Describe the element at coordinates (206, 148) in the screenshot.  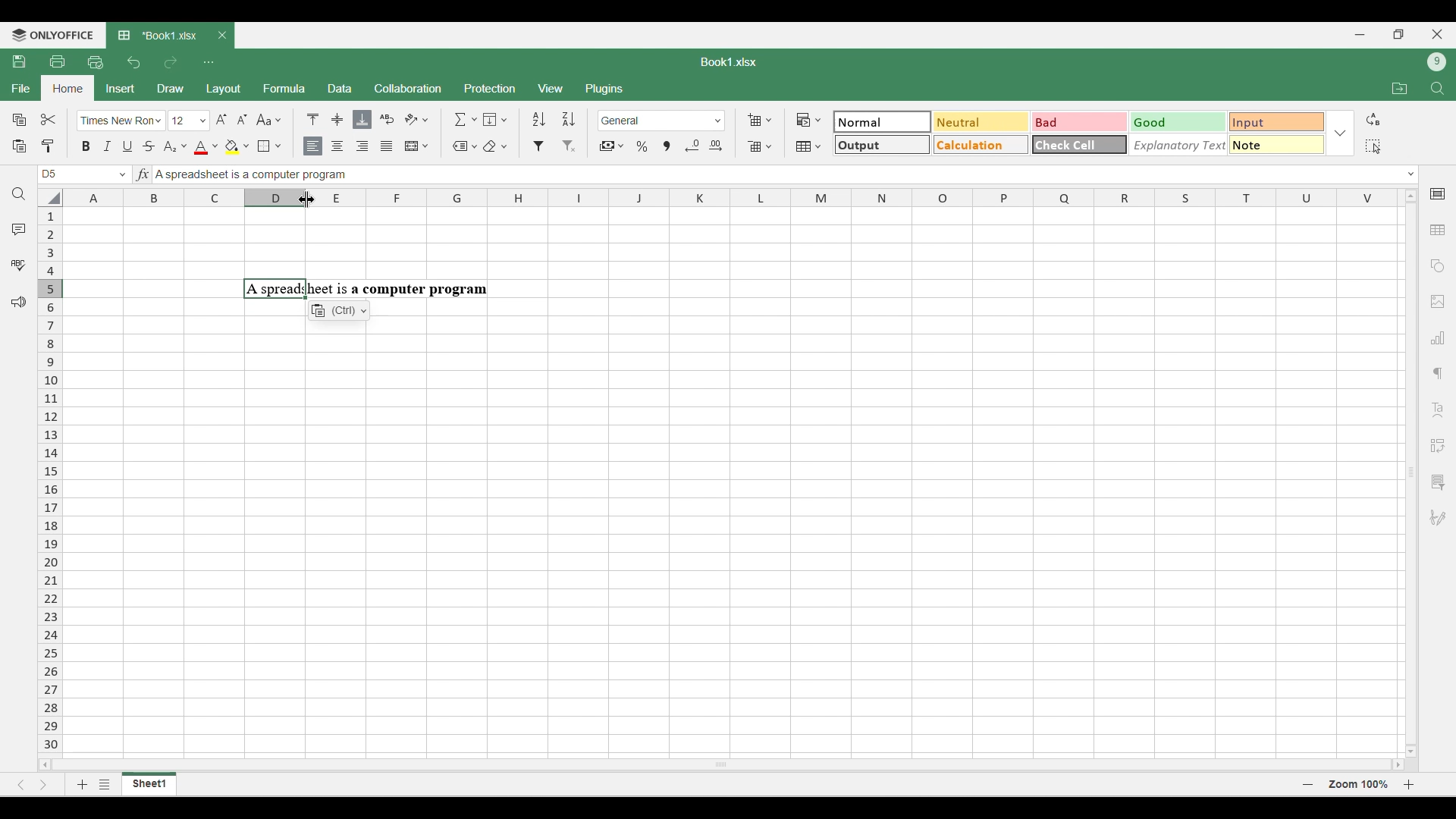
I see `Text color` at that location.